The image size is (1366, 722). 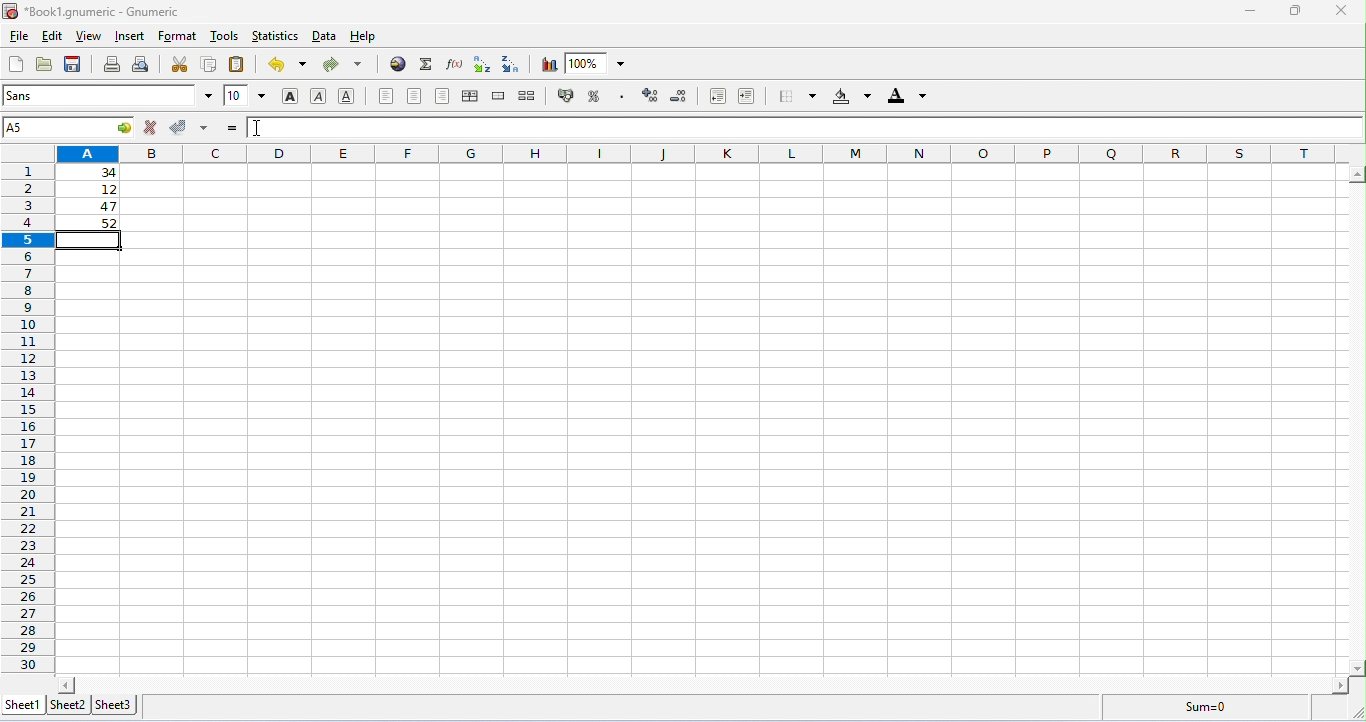 What do you see at coordinates (91, 223) in the screenshot?
I see `52` at bounding box center [91, 223].